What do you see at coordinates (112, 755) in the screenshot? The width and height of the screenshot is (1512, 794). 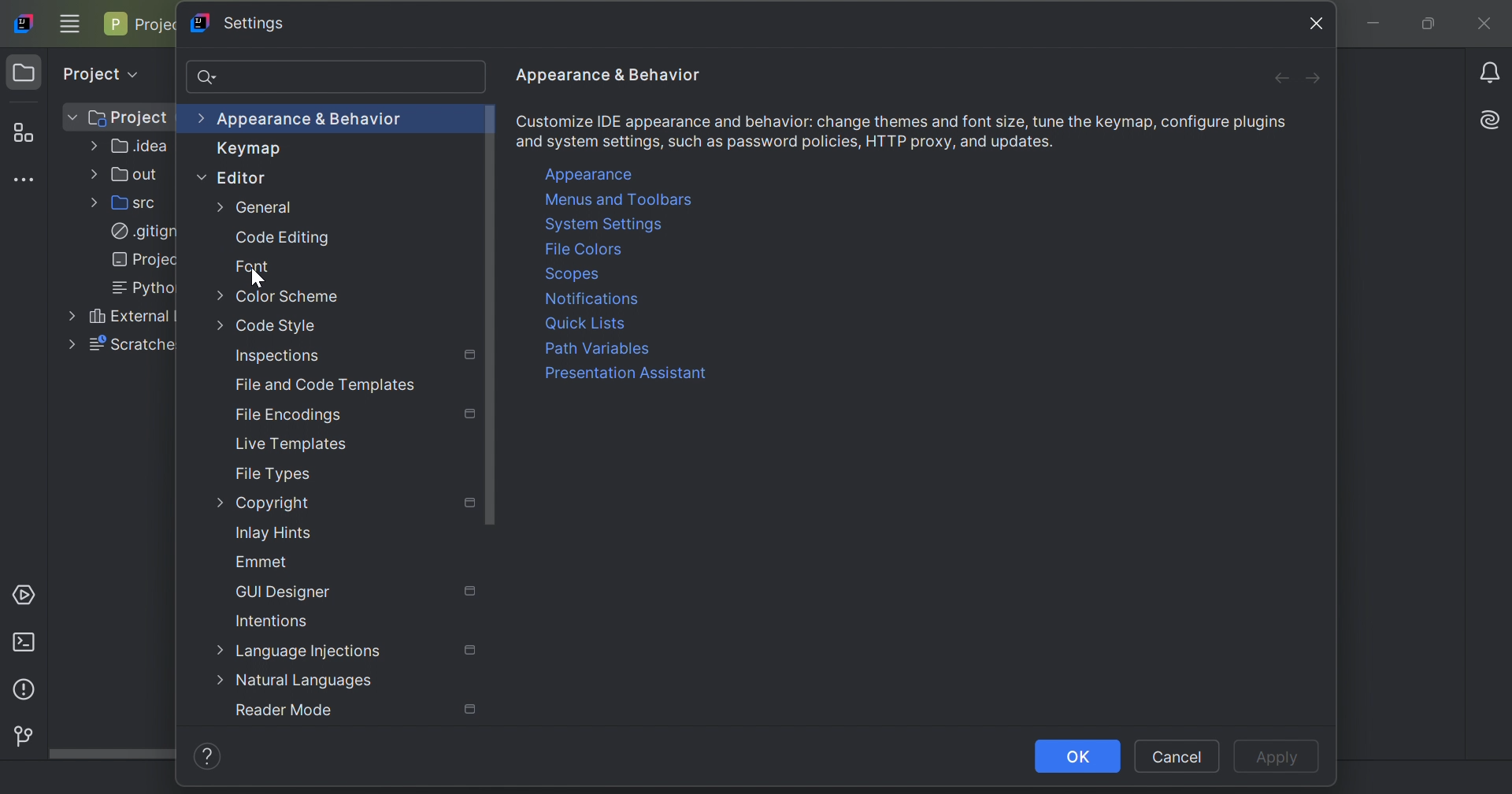 I see `Scroll bar` at bounding box center [112, 755].